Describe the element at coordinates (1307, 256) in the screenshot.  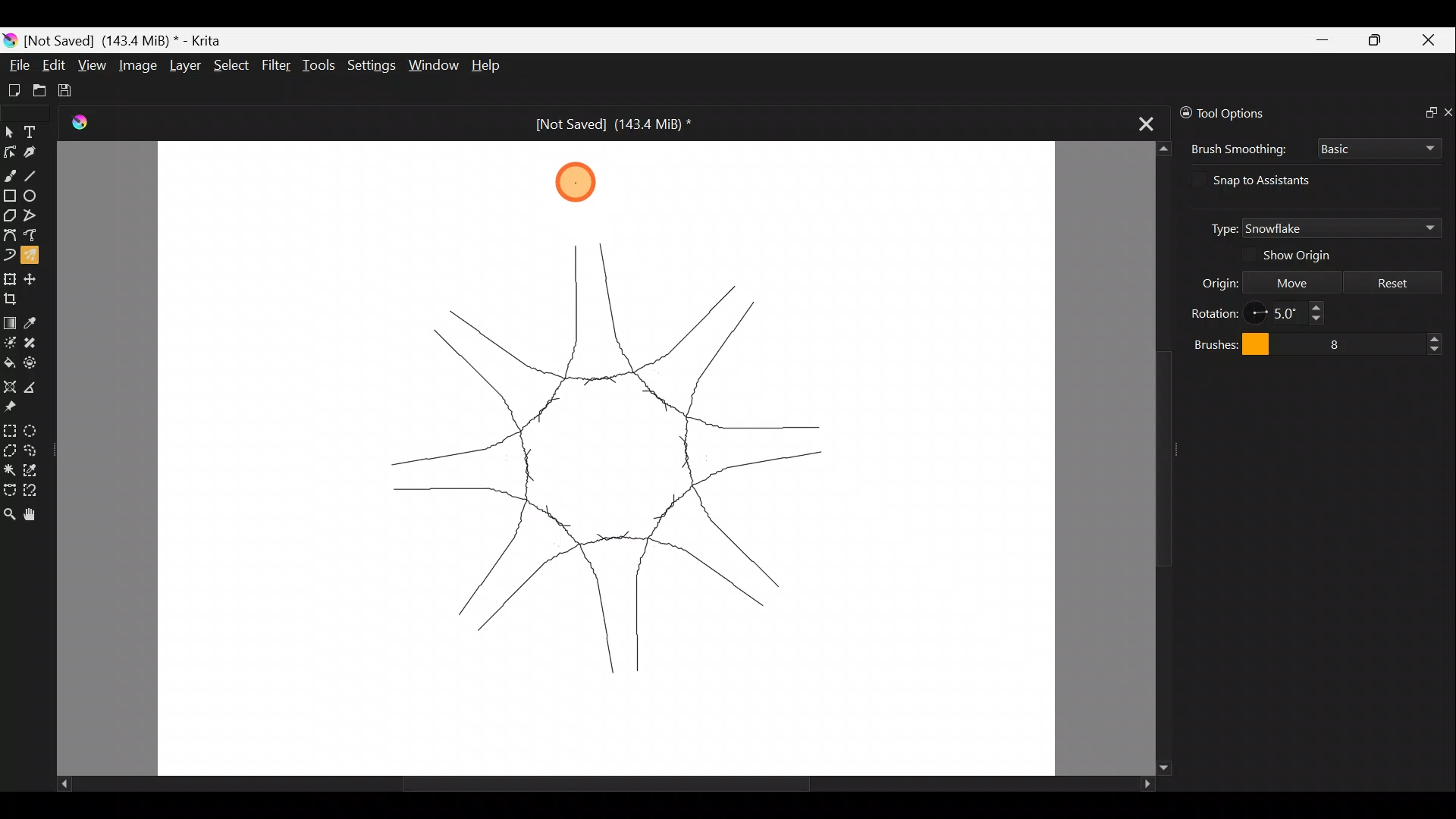
I see `Show origin` at that location.